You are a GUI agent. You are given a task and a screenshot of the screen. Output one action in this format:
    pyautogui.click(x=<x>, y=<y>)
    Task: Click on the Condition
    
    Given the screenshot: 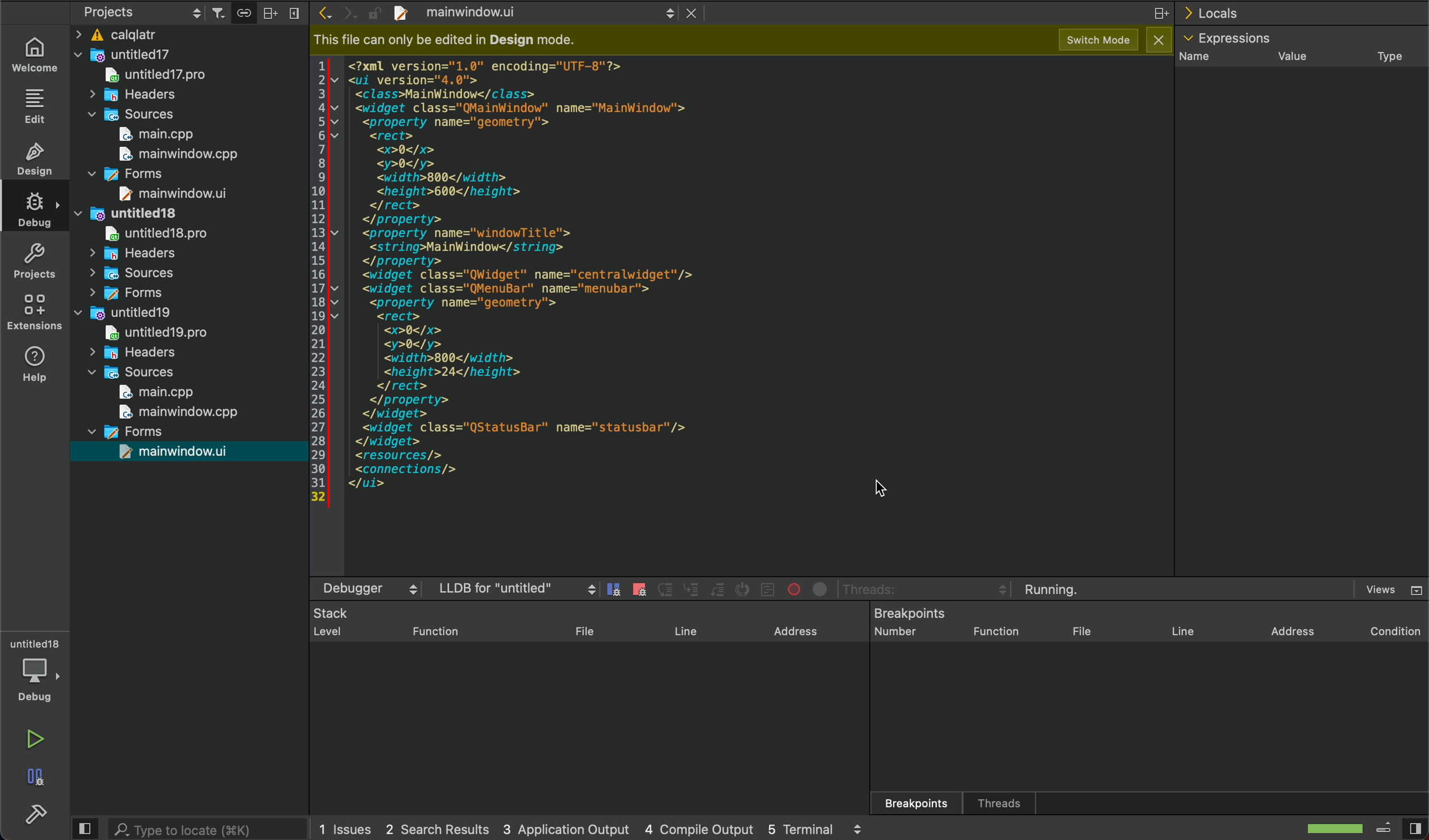 What is the action you would take?
    pyautogui.click(x=1376, y=627)
    